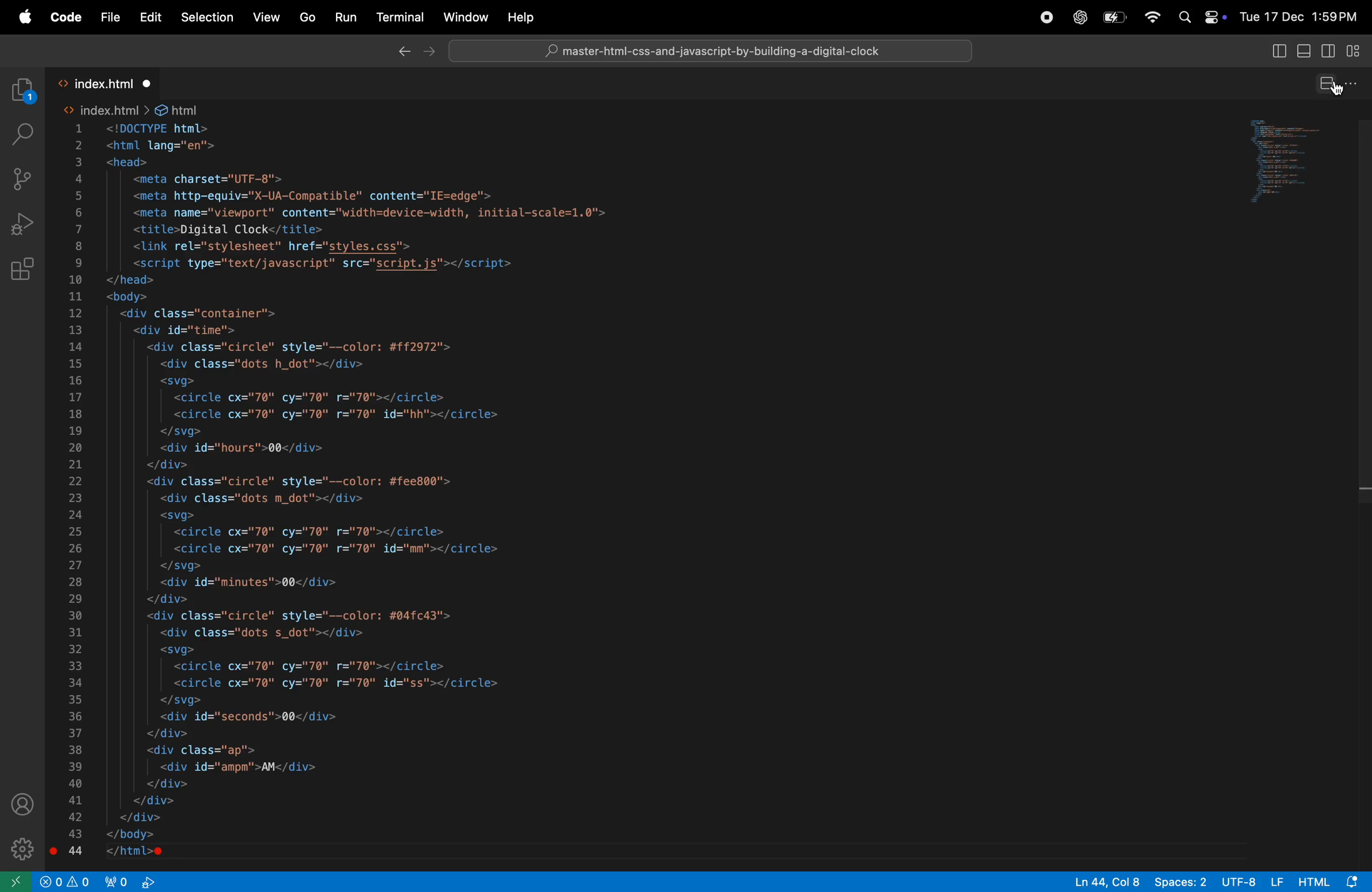 The image size is (1372, 892). I want to click on toggle secondary panel, so click(1328, 53).